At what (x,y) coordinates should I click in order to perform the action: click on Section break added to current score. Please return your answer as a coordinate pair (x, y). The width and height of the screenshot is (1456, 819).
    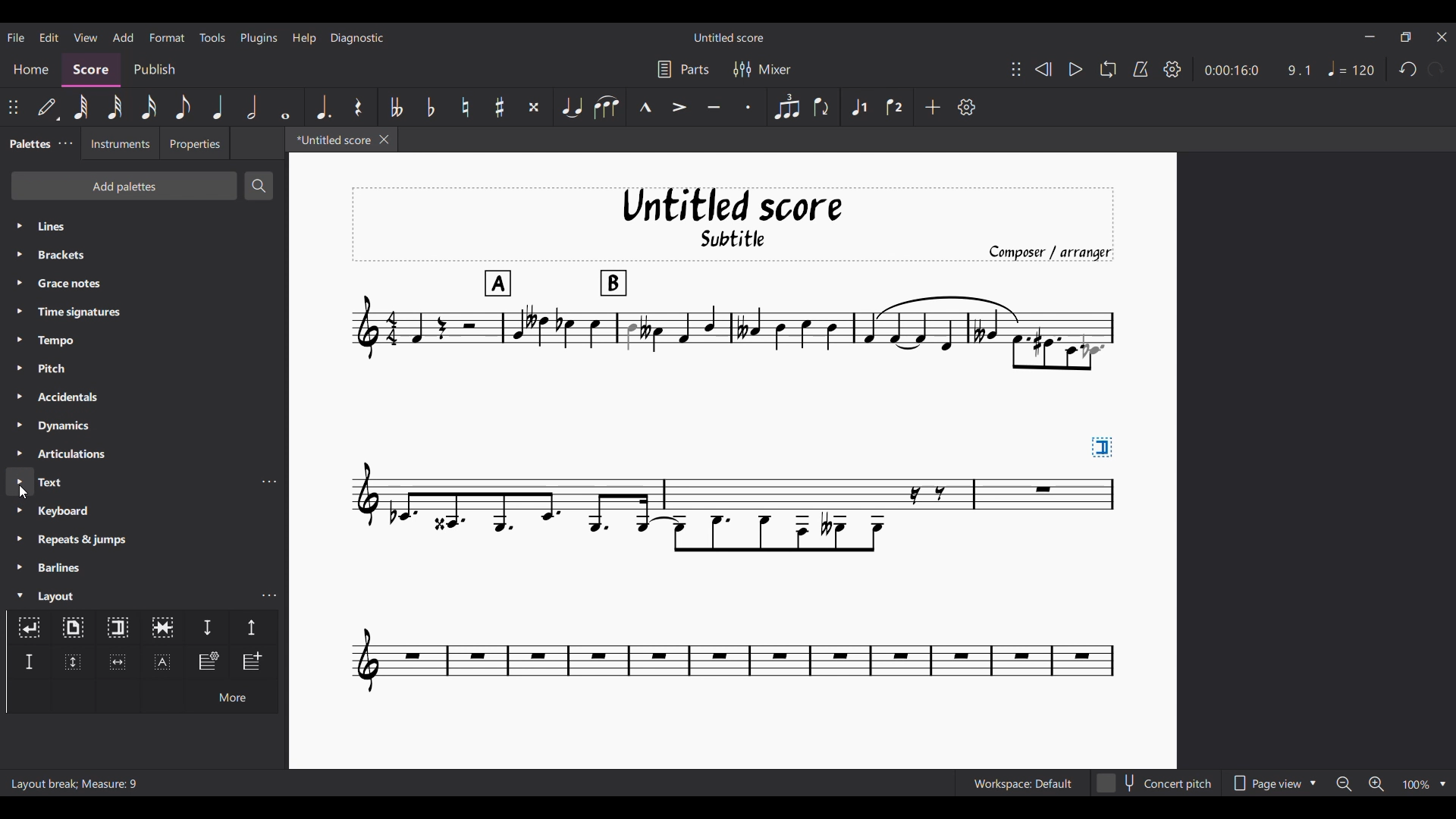
    Looking at the image, I should click on (732, 441).